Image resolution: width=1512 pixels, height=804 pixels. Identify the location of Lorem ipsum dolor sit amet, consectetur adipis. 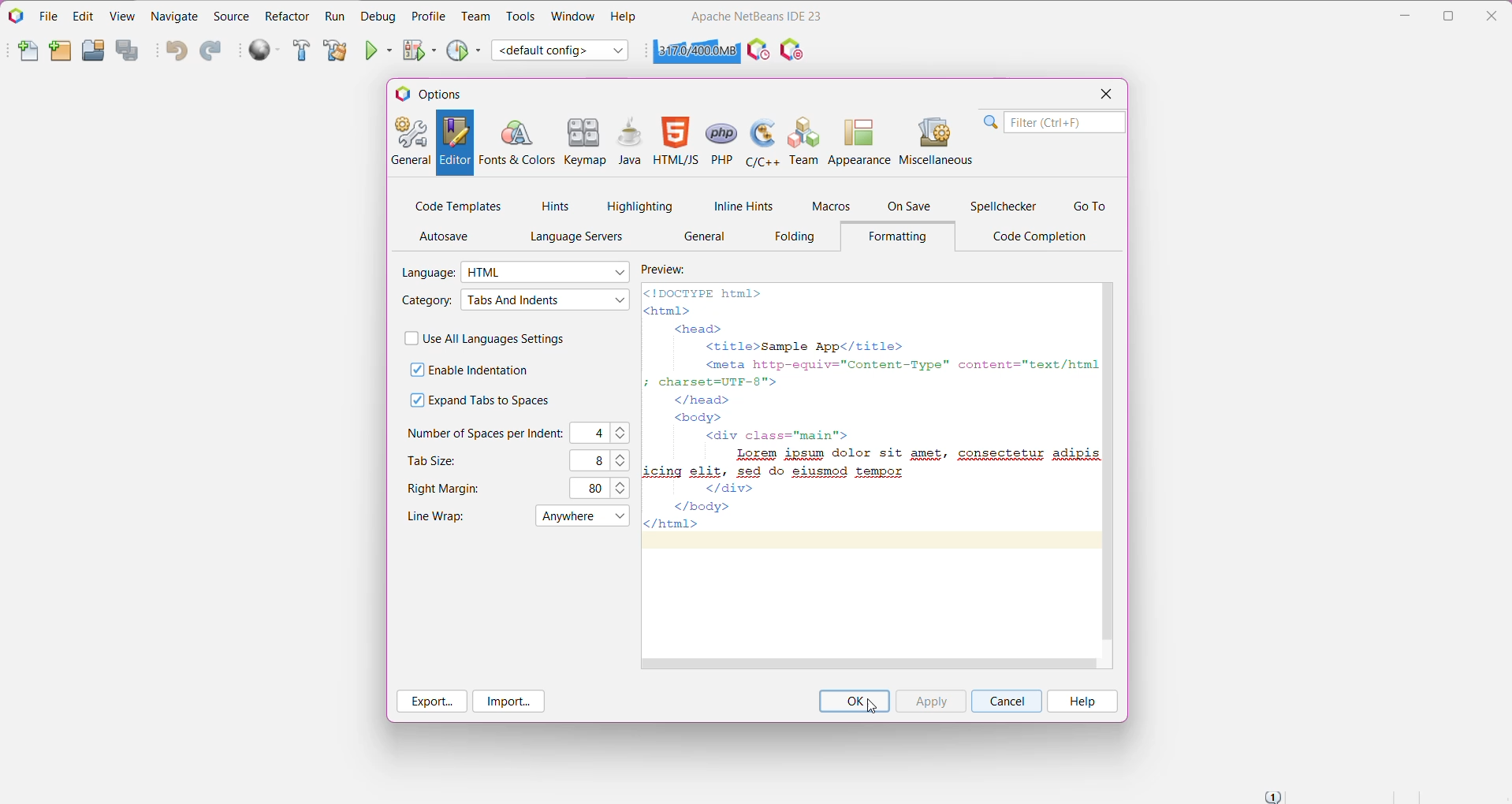
(921, 452).